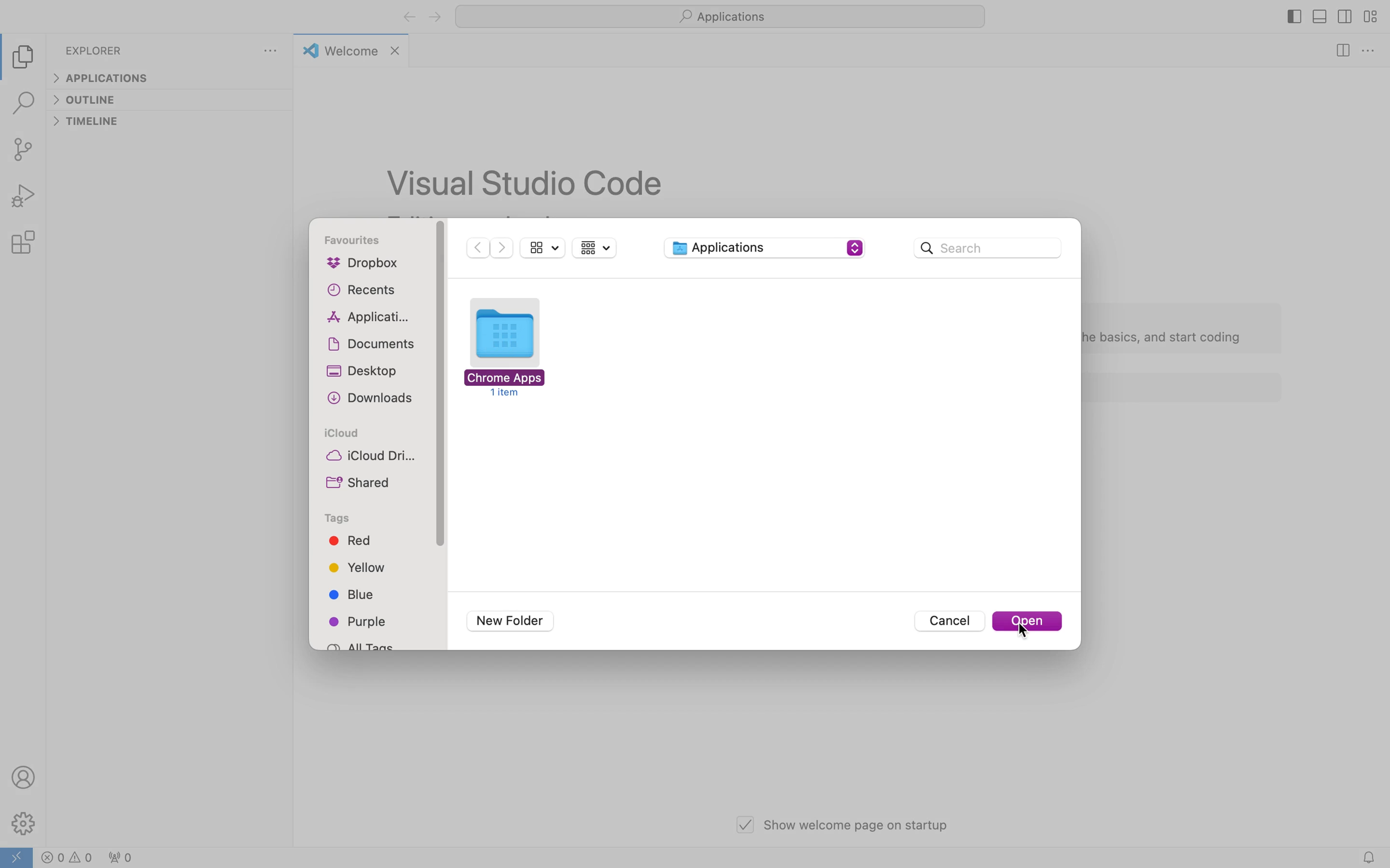 This screenshot has width=1390, height=868. Describe the element at coordinates (95, 52) in the screenshot. I see `explorer` at that location.